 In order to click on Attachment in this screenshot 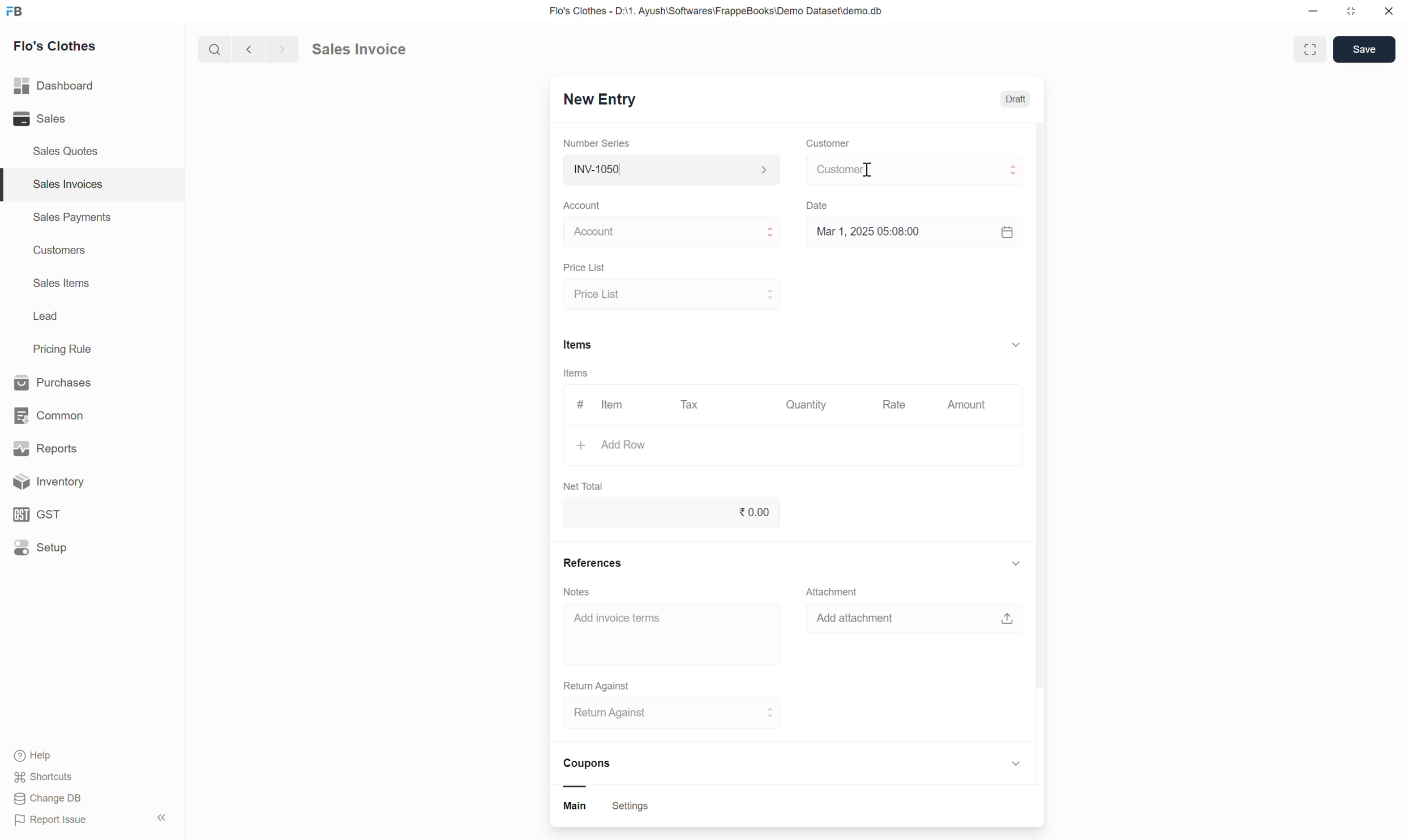, I will do `click(836, 592)`.